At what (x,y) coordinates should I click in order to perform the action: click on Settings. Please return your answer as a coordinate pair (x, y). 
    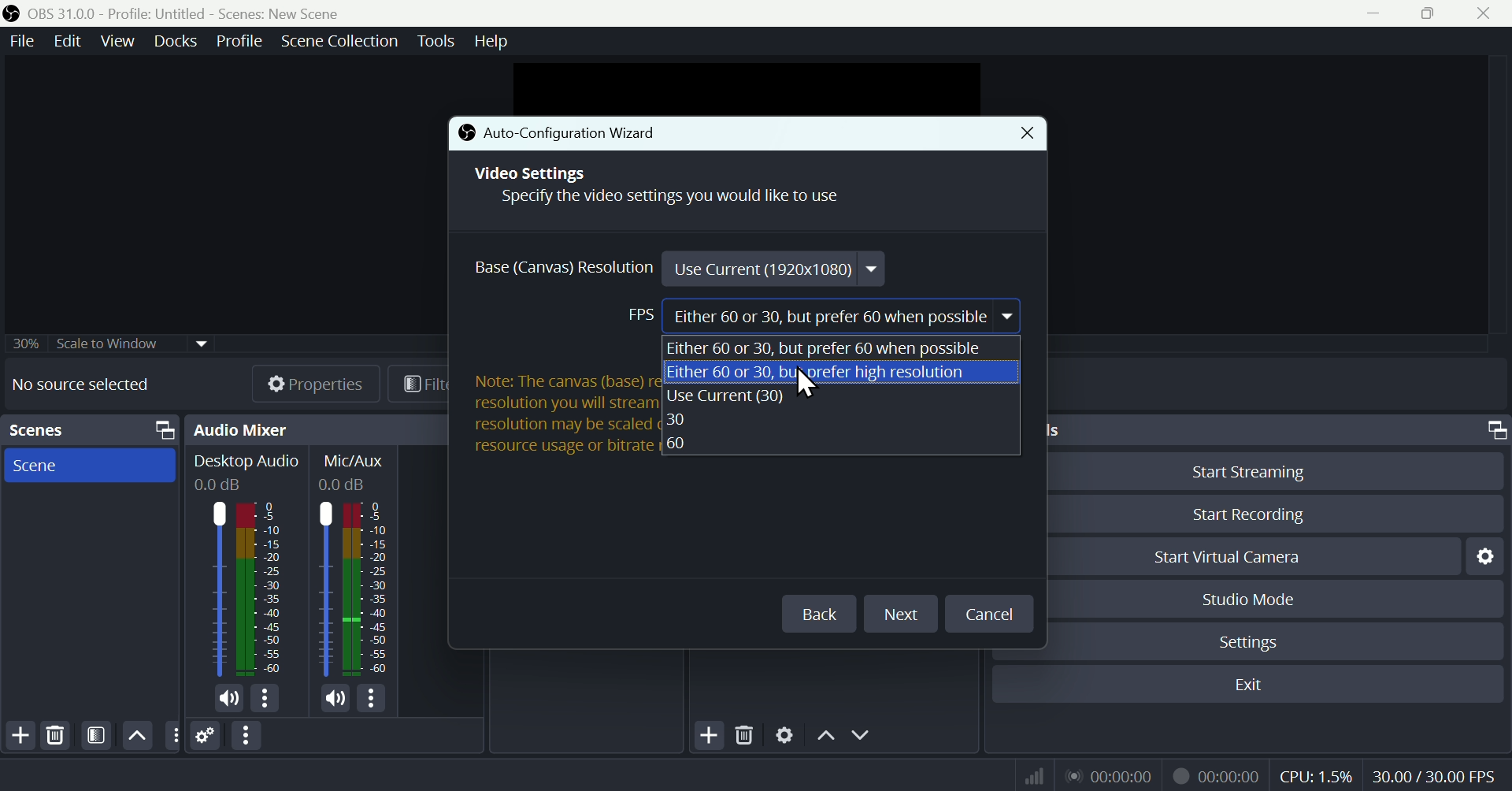
    Looking at the image, I should click on (1270, 640).